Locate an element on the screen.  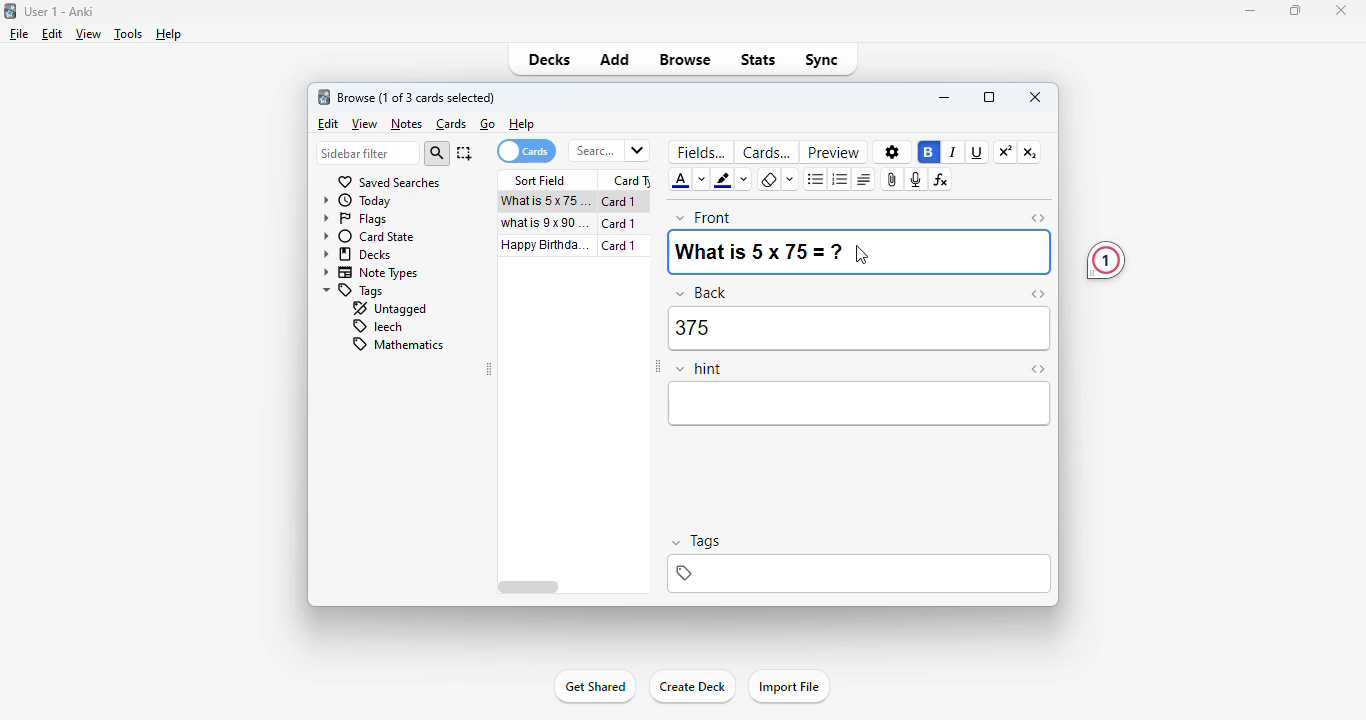
create deck is located at coordinates (692, 687).